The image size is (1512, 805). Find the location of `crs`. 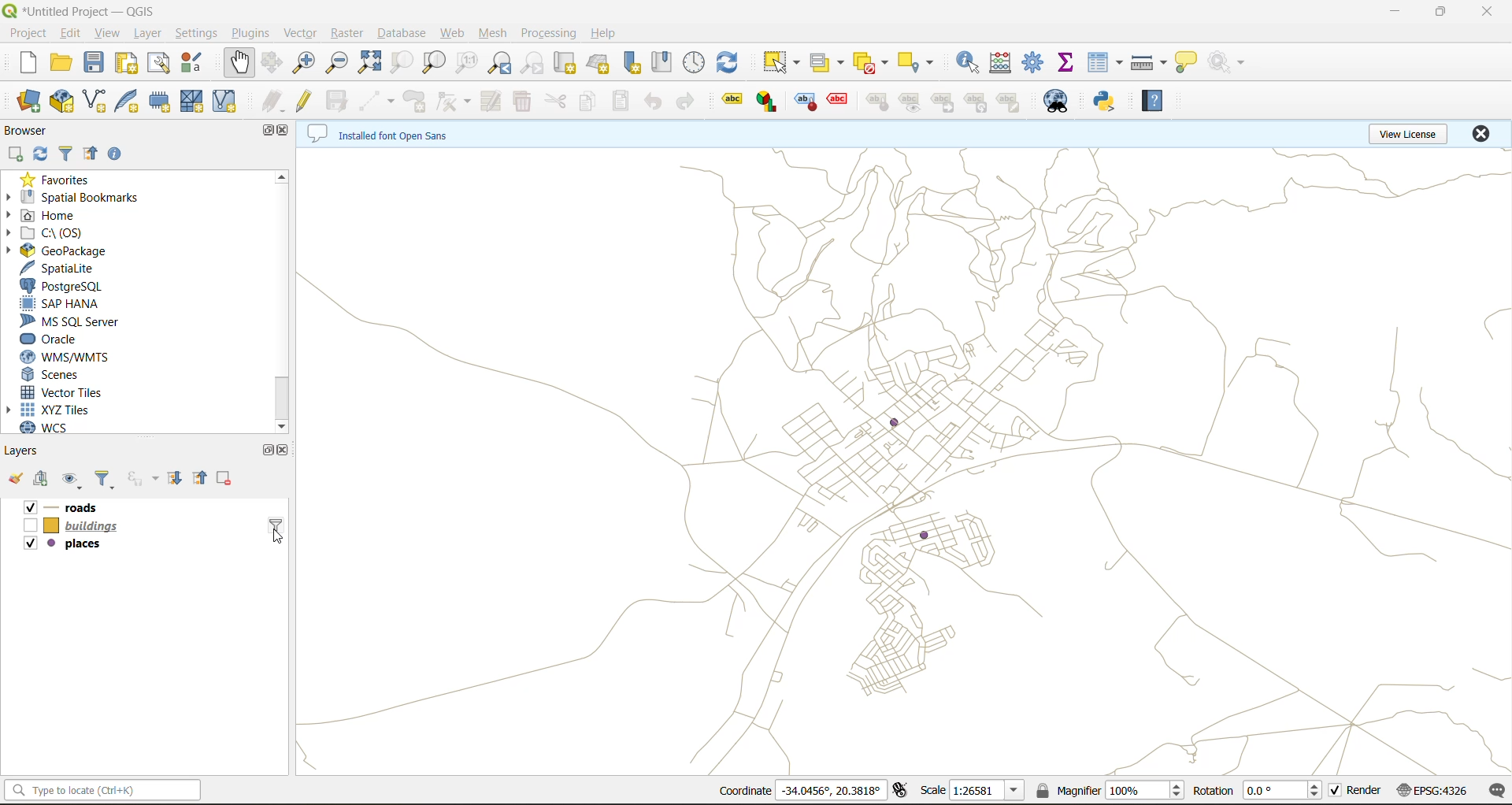

crs is located at coordinates (1431, 792).